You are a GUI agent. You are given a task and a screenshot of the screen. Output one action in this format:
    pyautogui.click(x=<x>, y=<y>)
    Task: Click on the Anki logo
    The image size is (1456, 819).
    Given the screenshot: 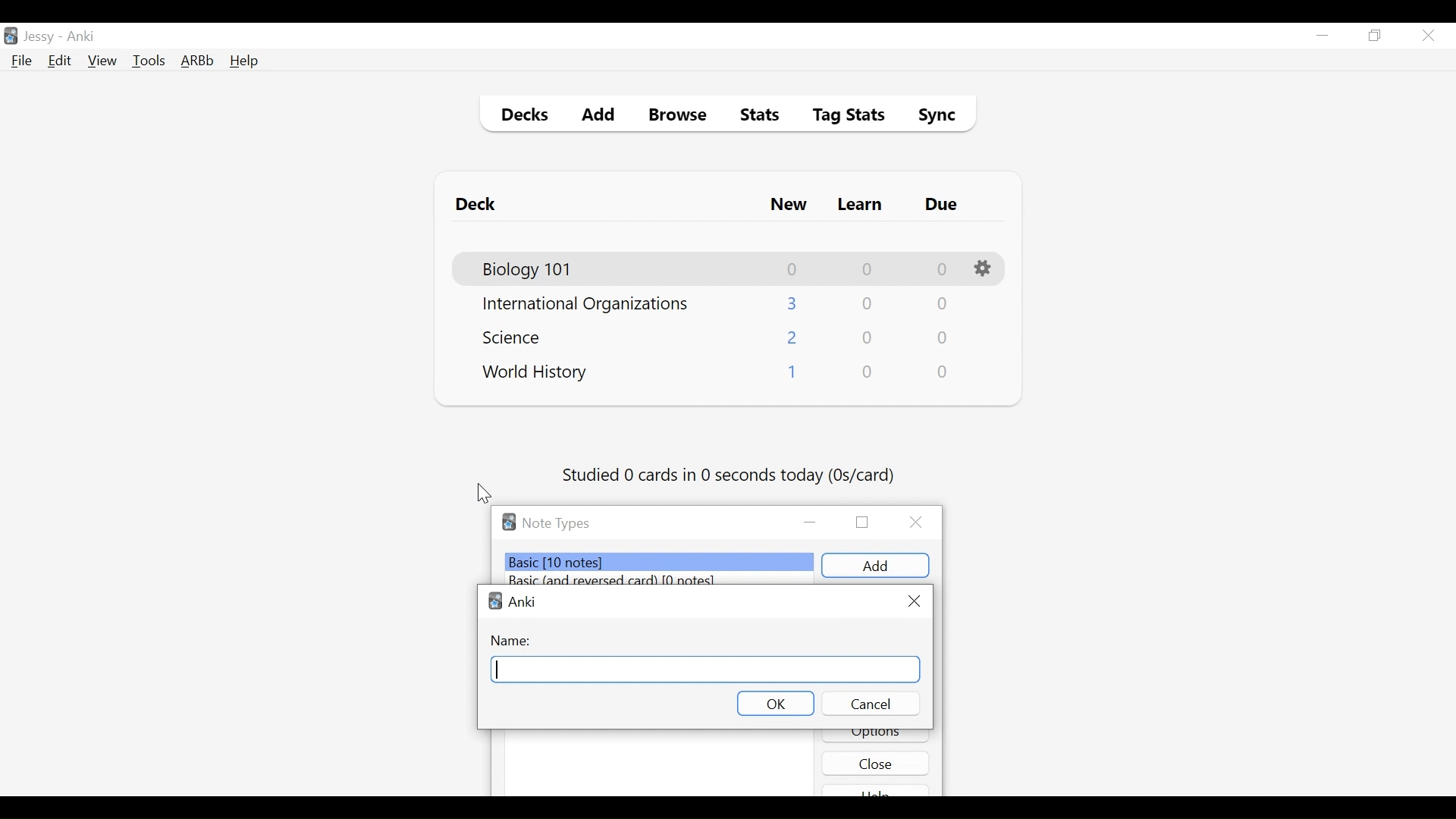 What is the action you would take?
    pyautogui.click(x=495, y=601)
    